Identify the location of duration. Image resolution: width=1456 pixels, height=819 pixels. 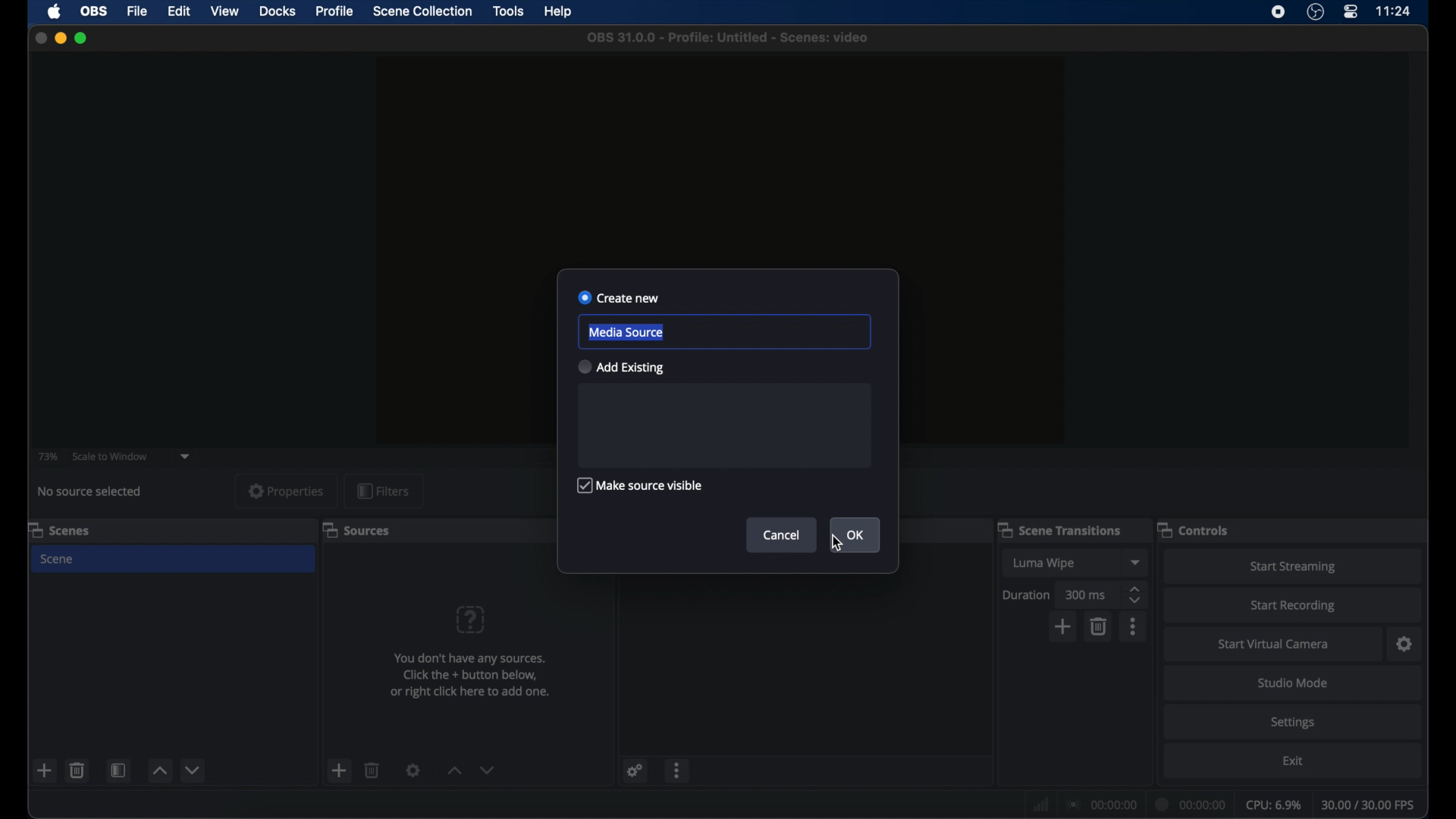
(1191, 805).